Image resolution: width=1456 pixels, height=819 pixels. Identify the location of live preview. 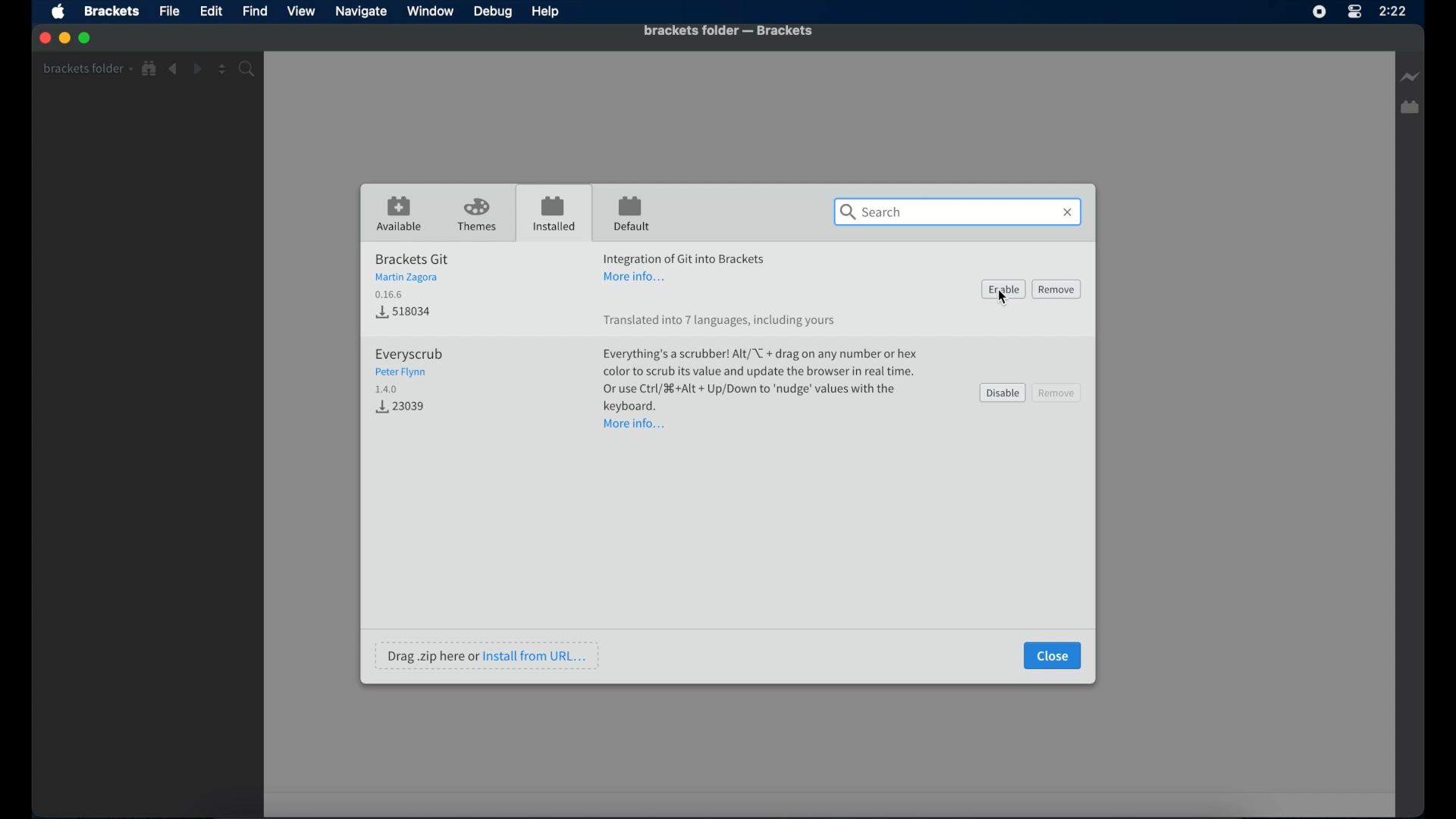
(1408, 77).